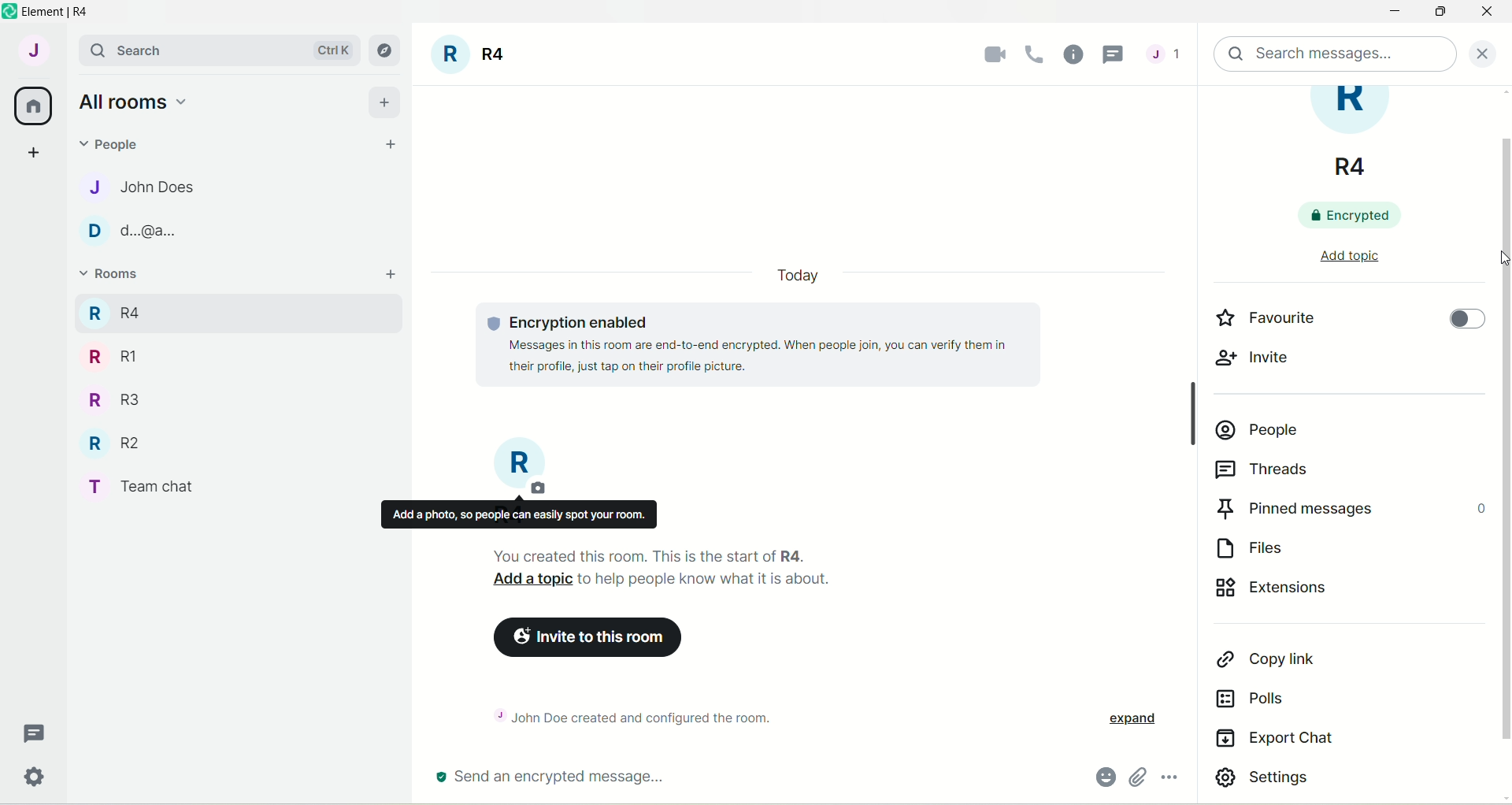 This screenshot has width=1512, height=805. I want to click on files, so click(1262, 545).